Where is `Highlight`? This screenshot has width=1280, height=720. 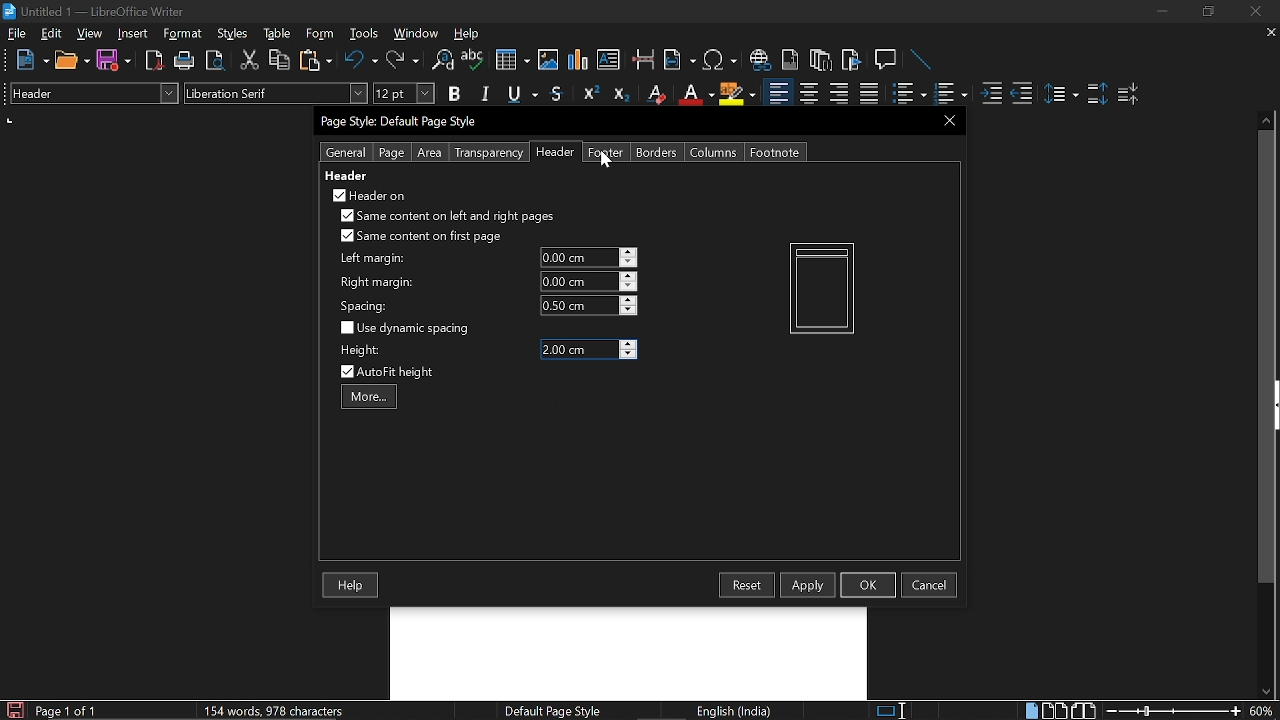
Highlight is located at coordinates (738, 93).